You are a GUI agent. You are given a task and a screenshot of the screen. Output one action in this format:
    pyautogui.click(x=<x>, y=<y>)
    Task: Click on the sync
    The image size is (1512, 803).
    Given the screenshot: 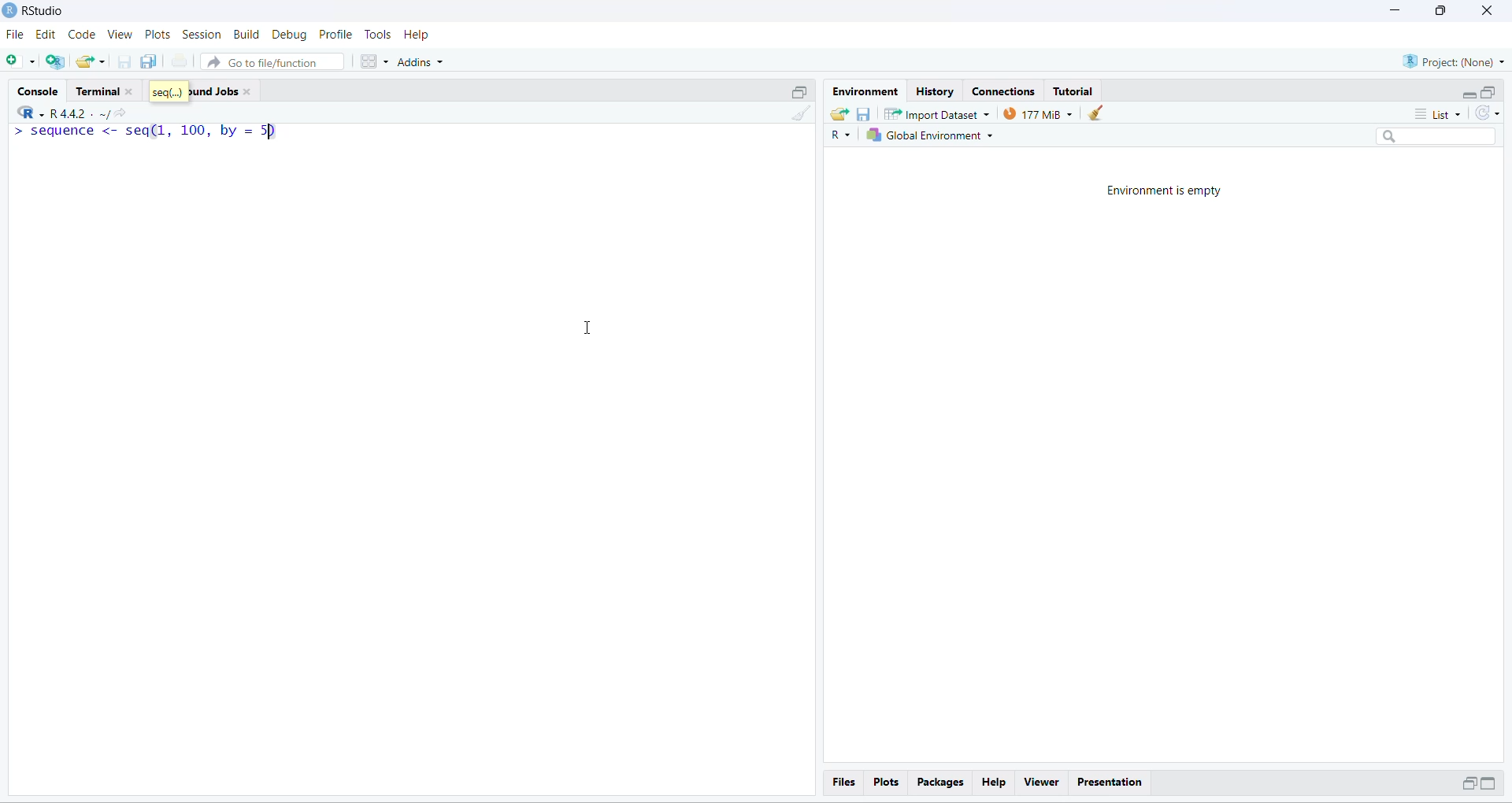 What is the action you would take?
    pyautogui.click(x=1488, y=113)
    